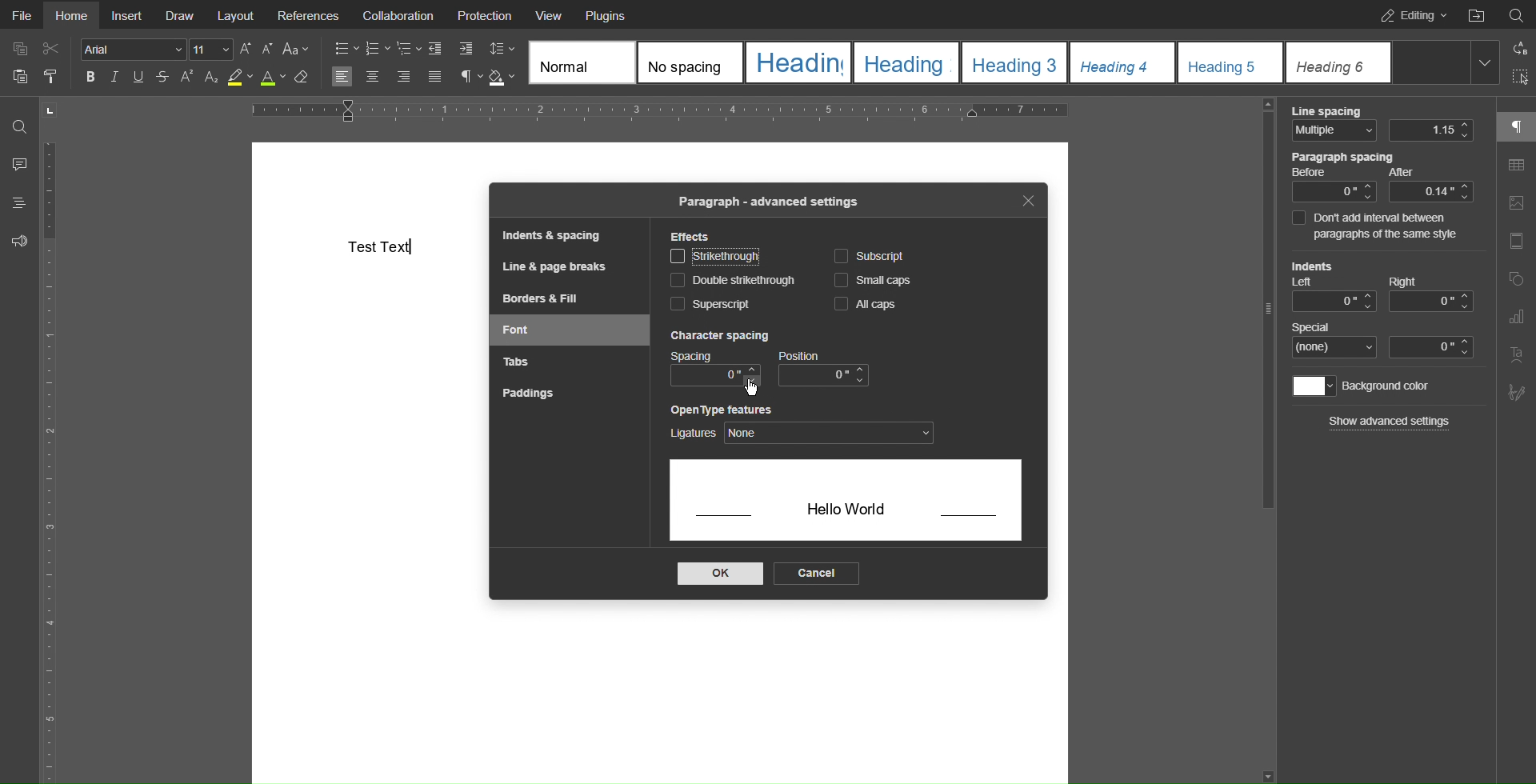  Describe the element at coordinates (715, 256) in the screenshot. I see `Strikethrough` at that location.